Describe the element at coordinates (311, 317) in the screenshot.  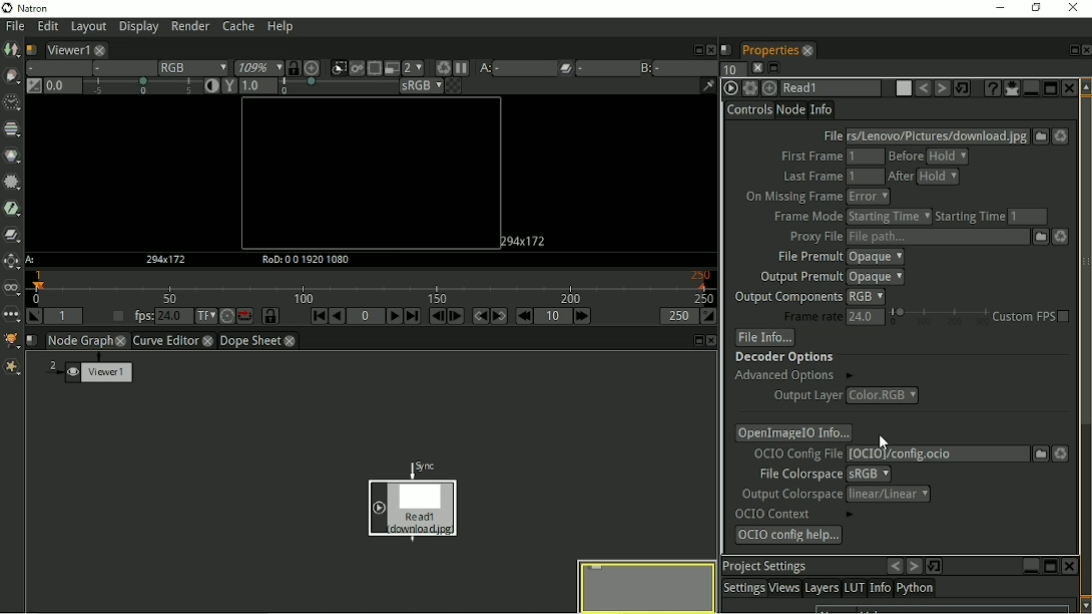
I see `First frame` at that location.